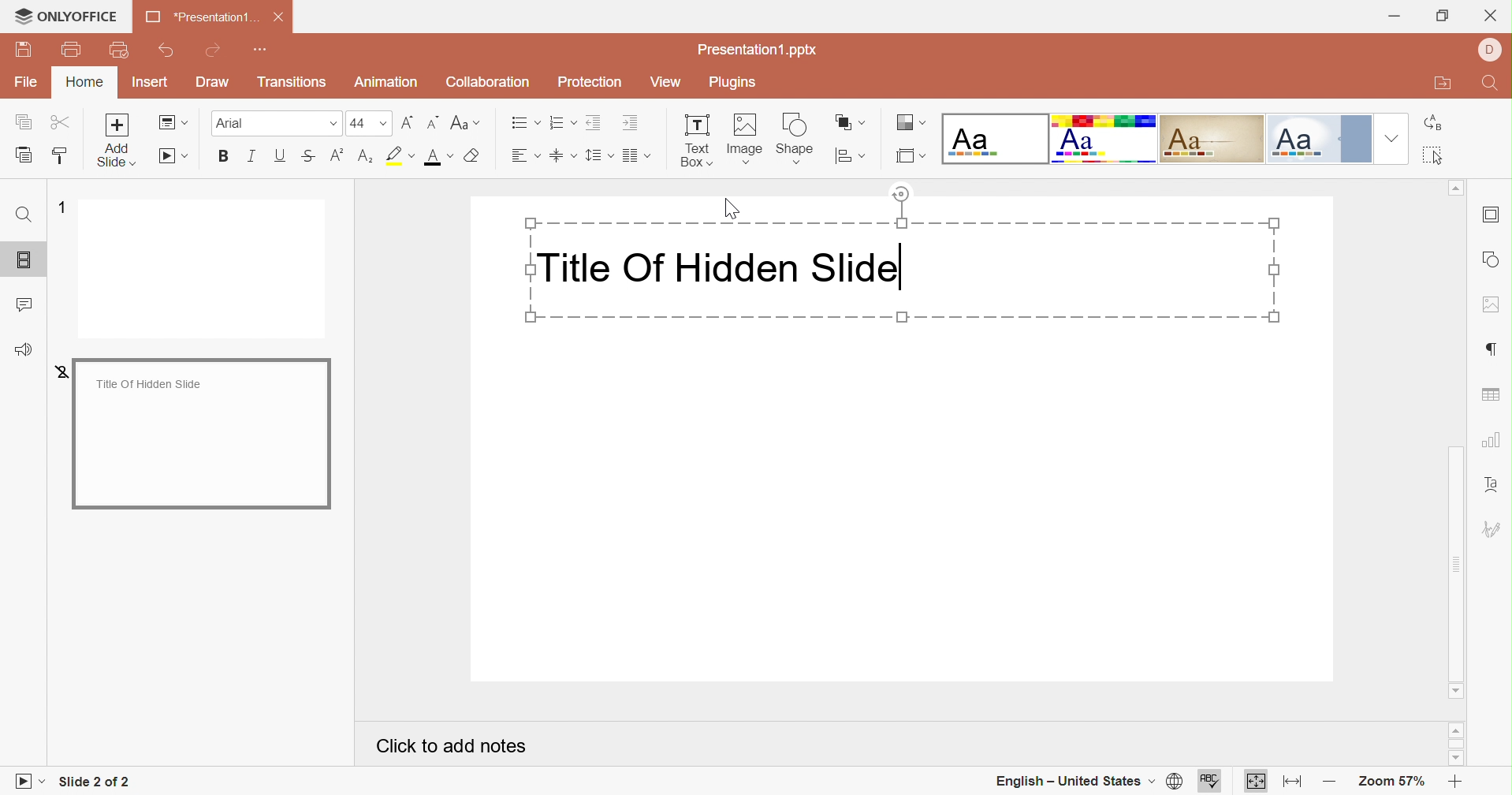 Image resolution: width=1512 pixels, height=795 pixels. Describe the element at coordinates (562, 123) in the screenshot. I see `Numbering` at that location.